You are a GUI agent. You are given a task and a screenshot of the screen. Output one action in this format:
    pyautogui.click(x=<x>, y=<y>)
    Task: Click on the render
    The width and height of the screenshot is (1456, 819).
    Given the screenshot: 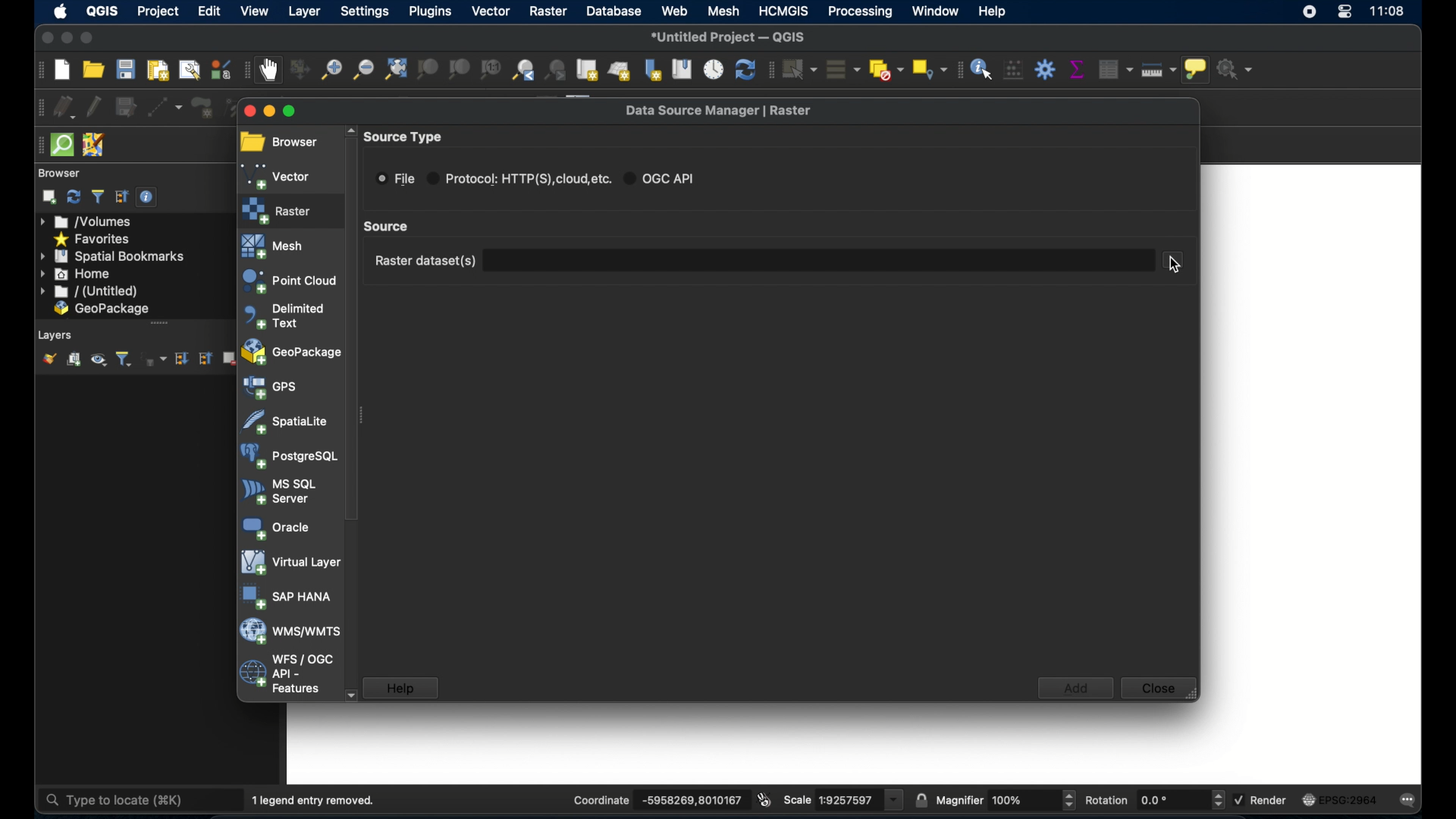 What is the action you would take?
    pyautogui.click(x=1272, y=801)
    